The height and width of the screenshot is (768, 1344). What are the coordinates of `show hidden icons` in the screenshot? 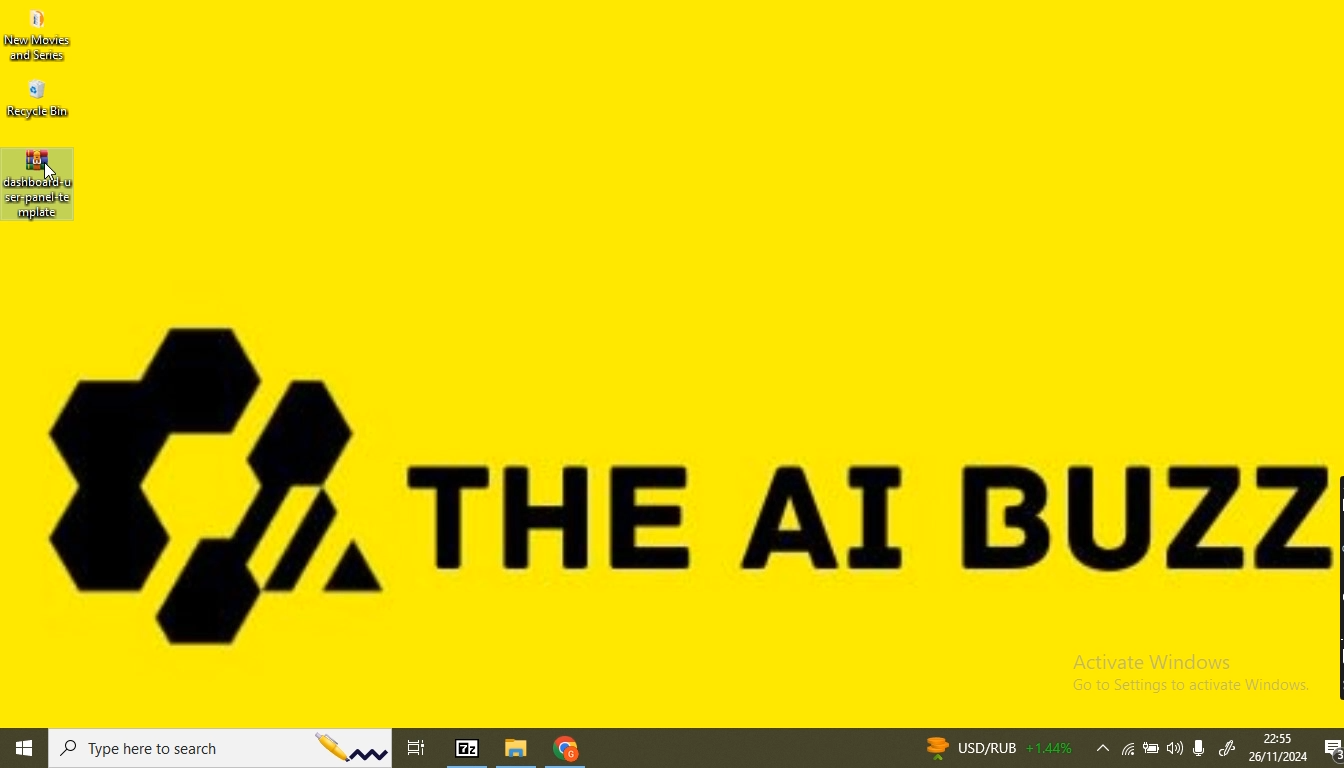 It's located at (1099, 750).